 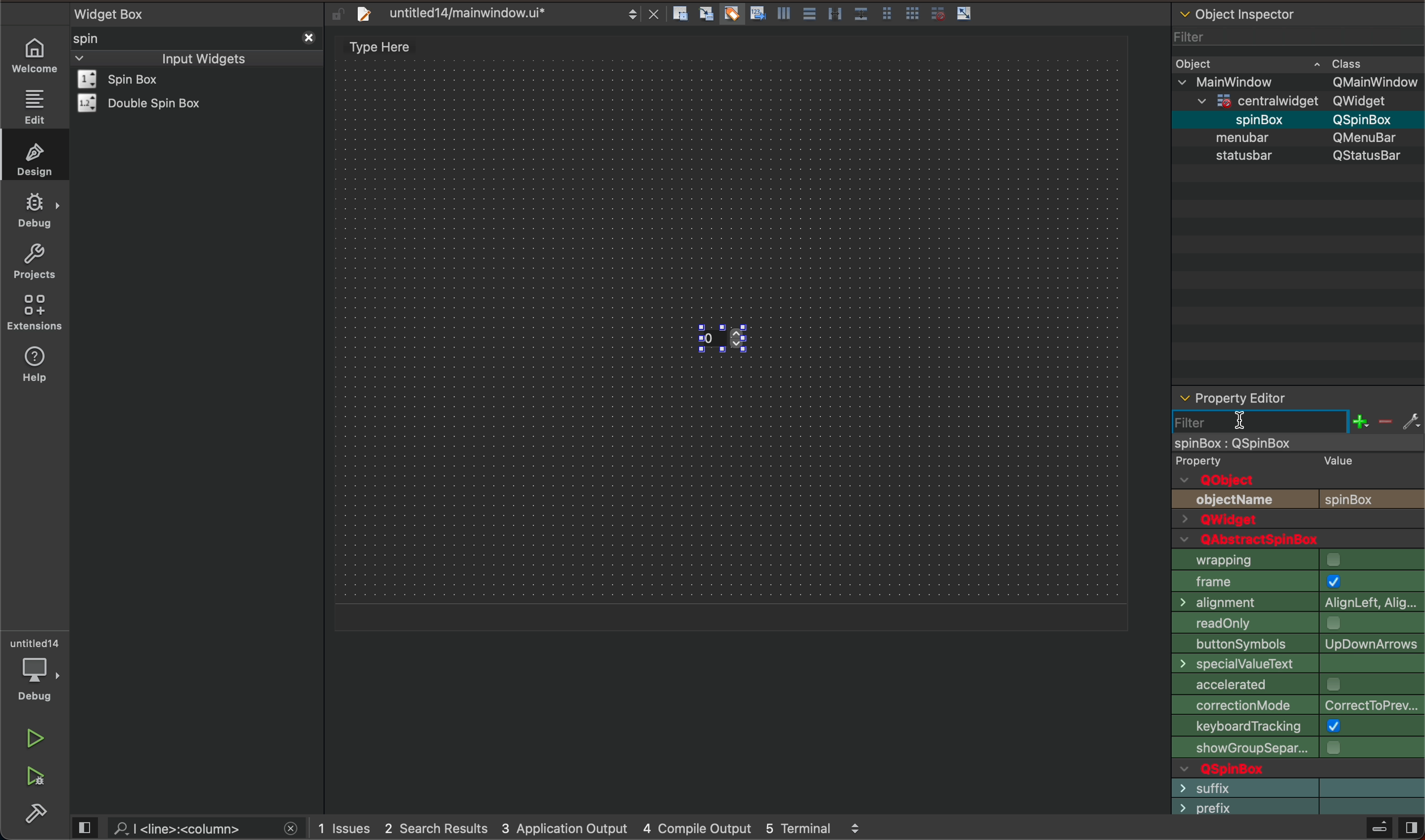 I want to click on WELCOME, so click(x=36, y=56).